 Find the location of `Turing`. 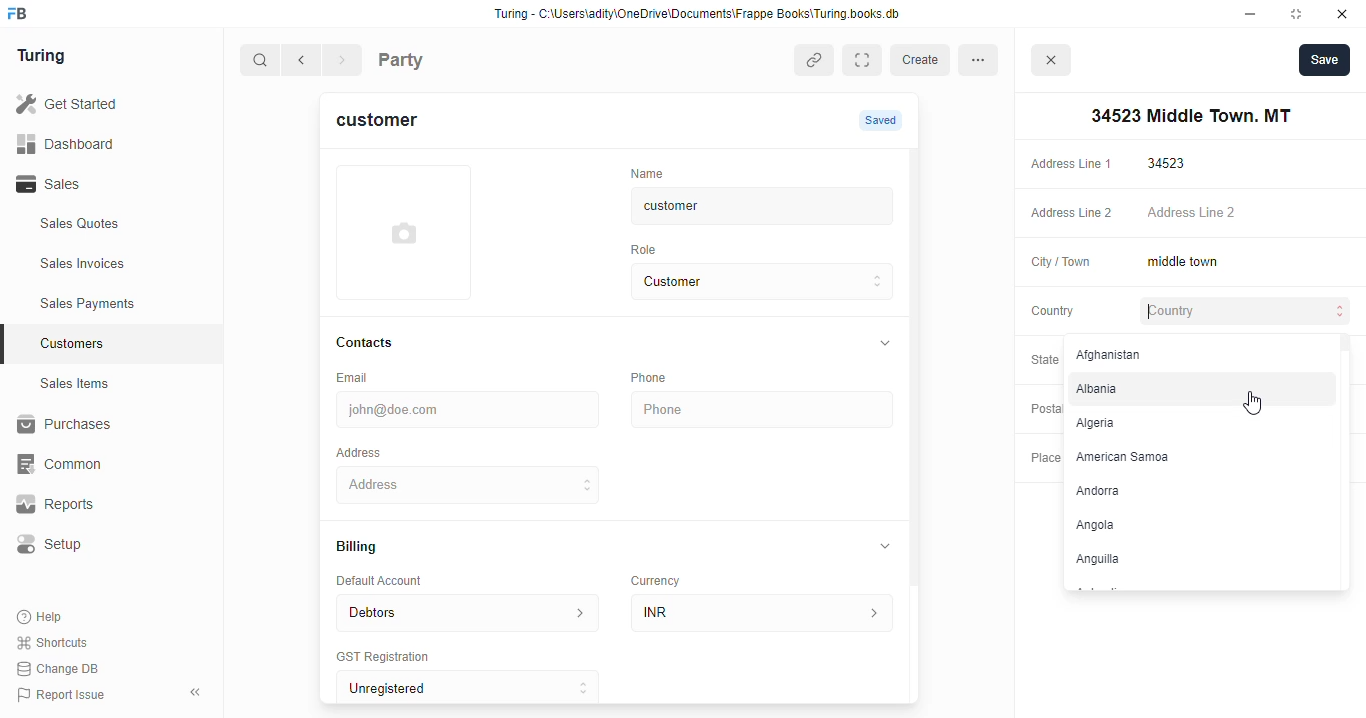

Turing is located at coordinates (46, 57).